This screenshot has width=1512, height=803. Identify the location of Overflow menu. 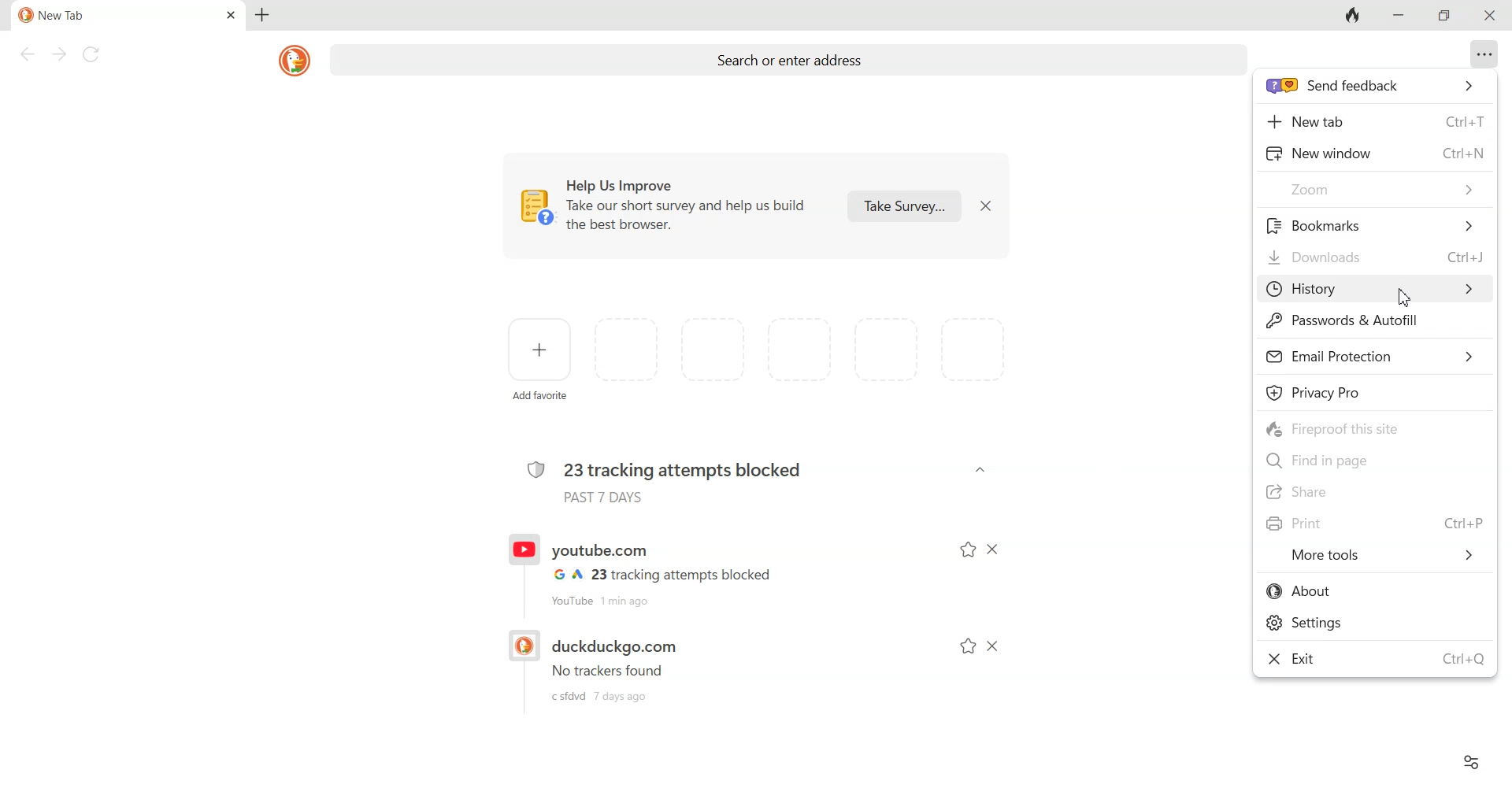
(1485, 54).